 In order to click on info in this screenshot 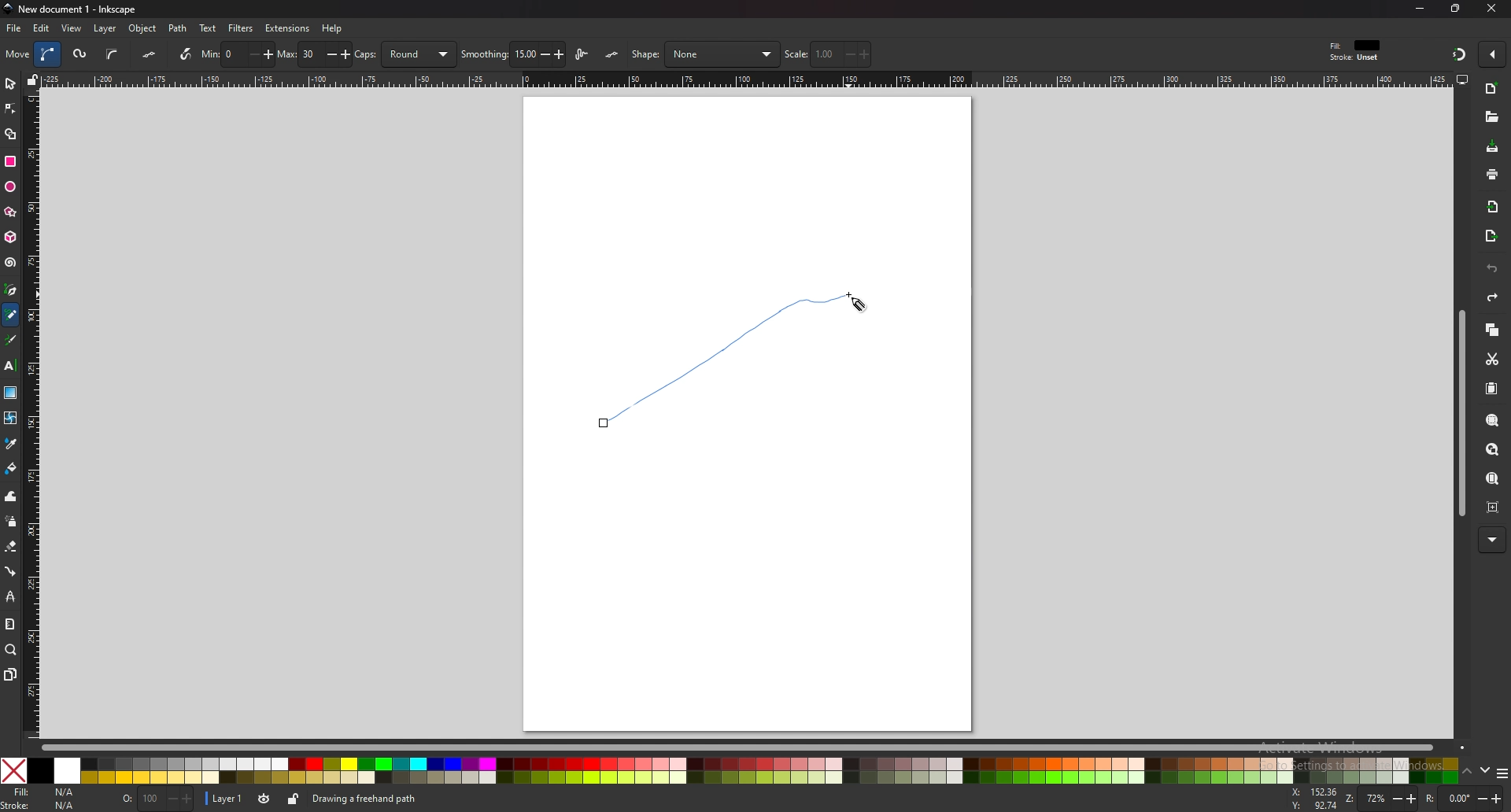, I will do `click(371, 799)`.